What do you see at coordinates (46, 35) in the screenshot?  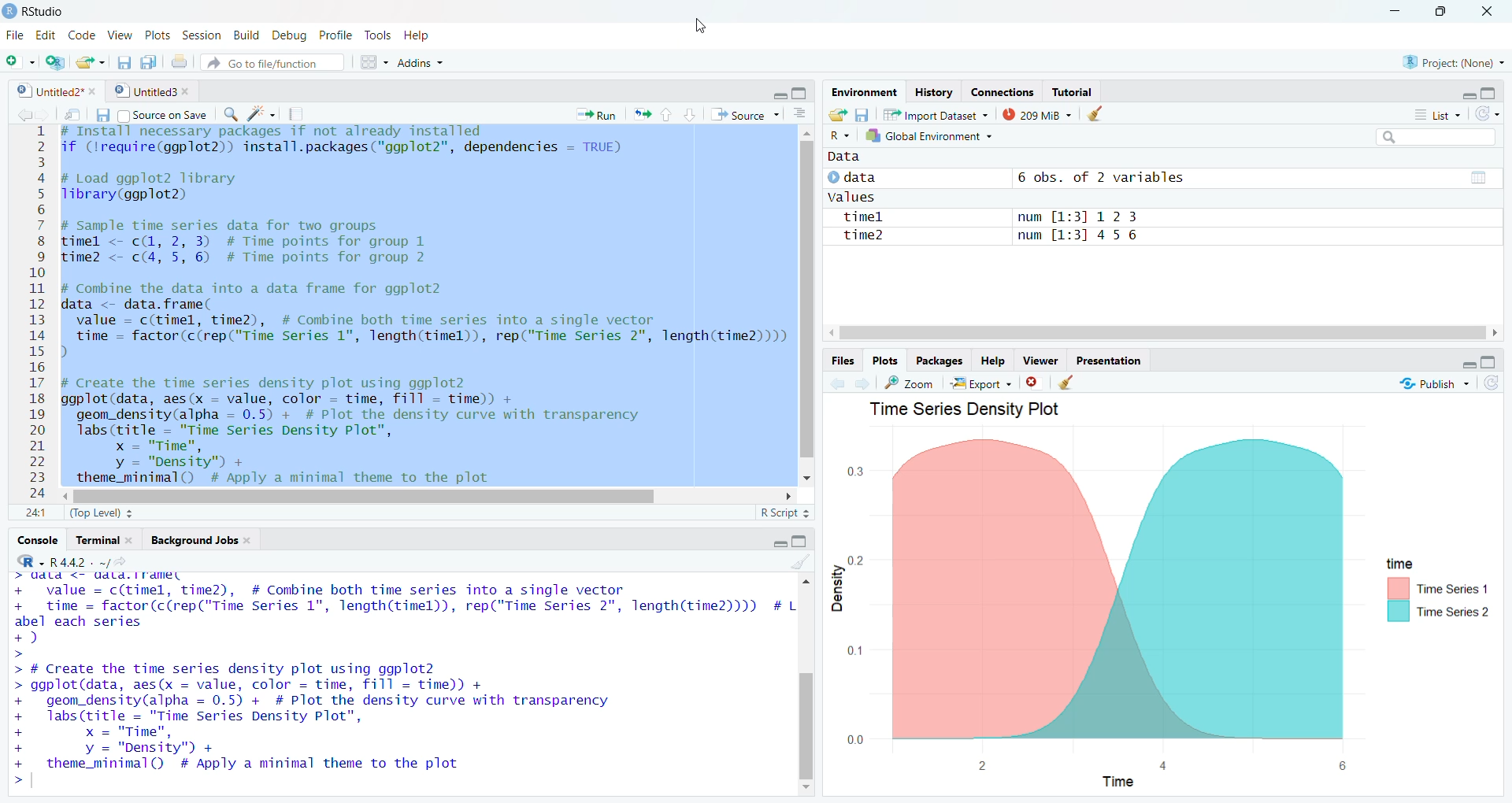 I see `Edit` at bounding box center [46, 35].